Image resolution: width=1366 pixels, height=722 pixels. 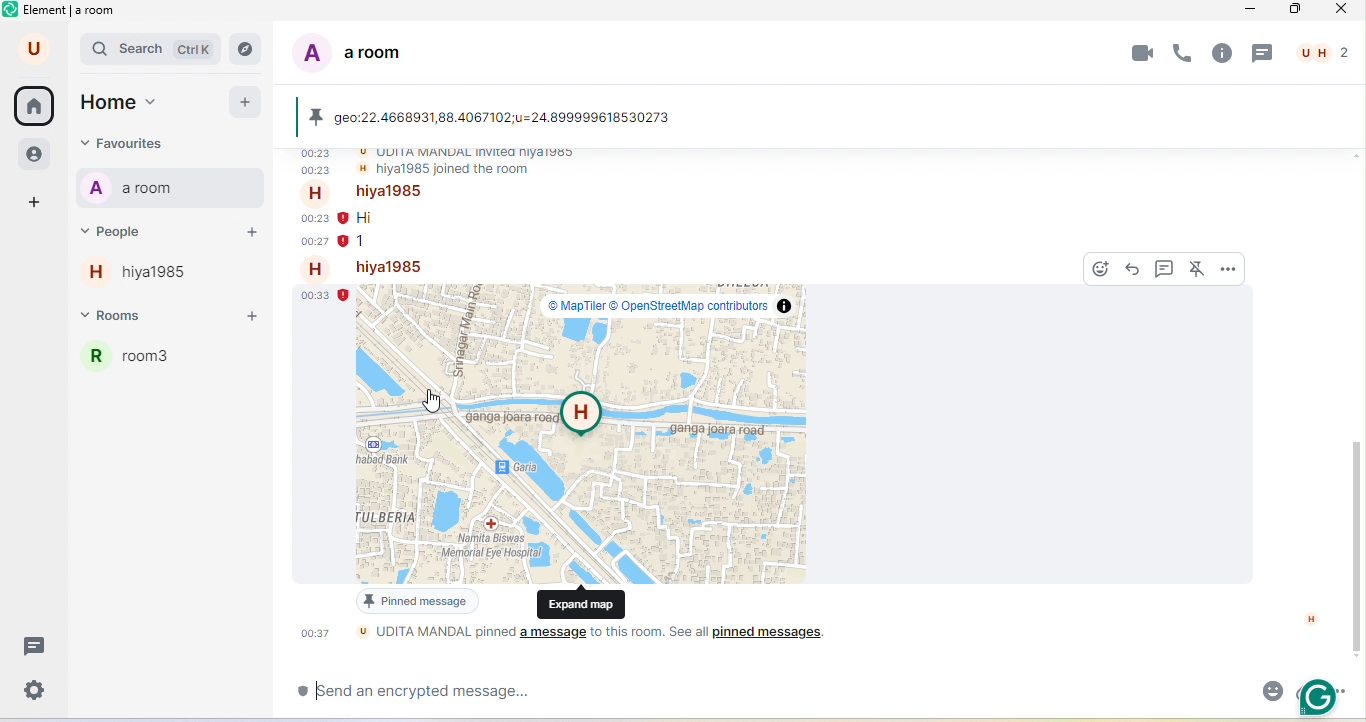 I want to click on settings, so click(x=37, y=690).